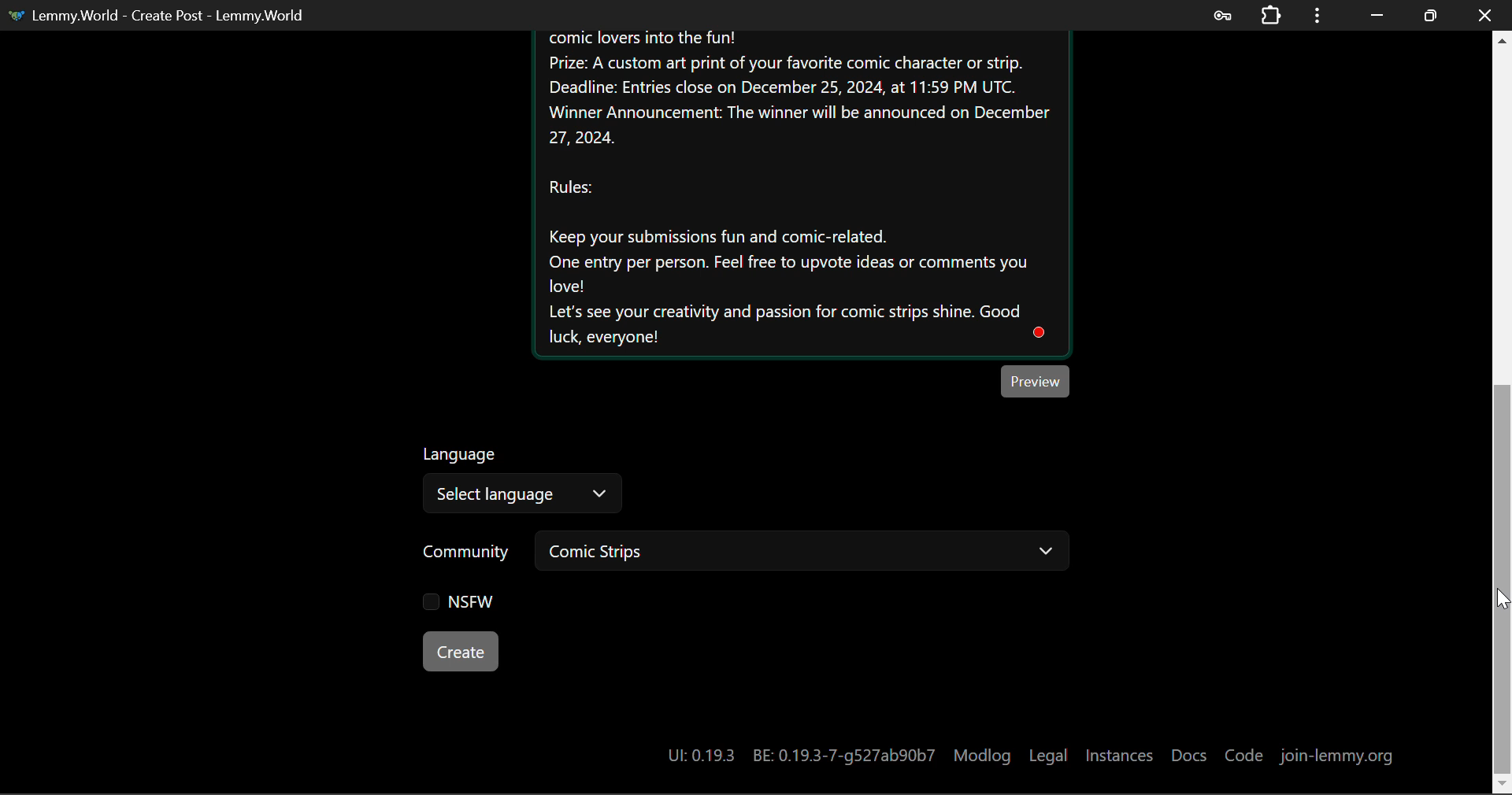 The image size is (1512, 795). What do you see at coordinates (1036, 381) in the screenshot?
I see `Preview` at bounding box center [1036, 381].